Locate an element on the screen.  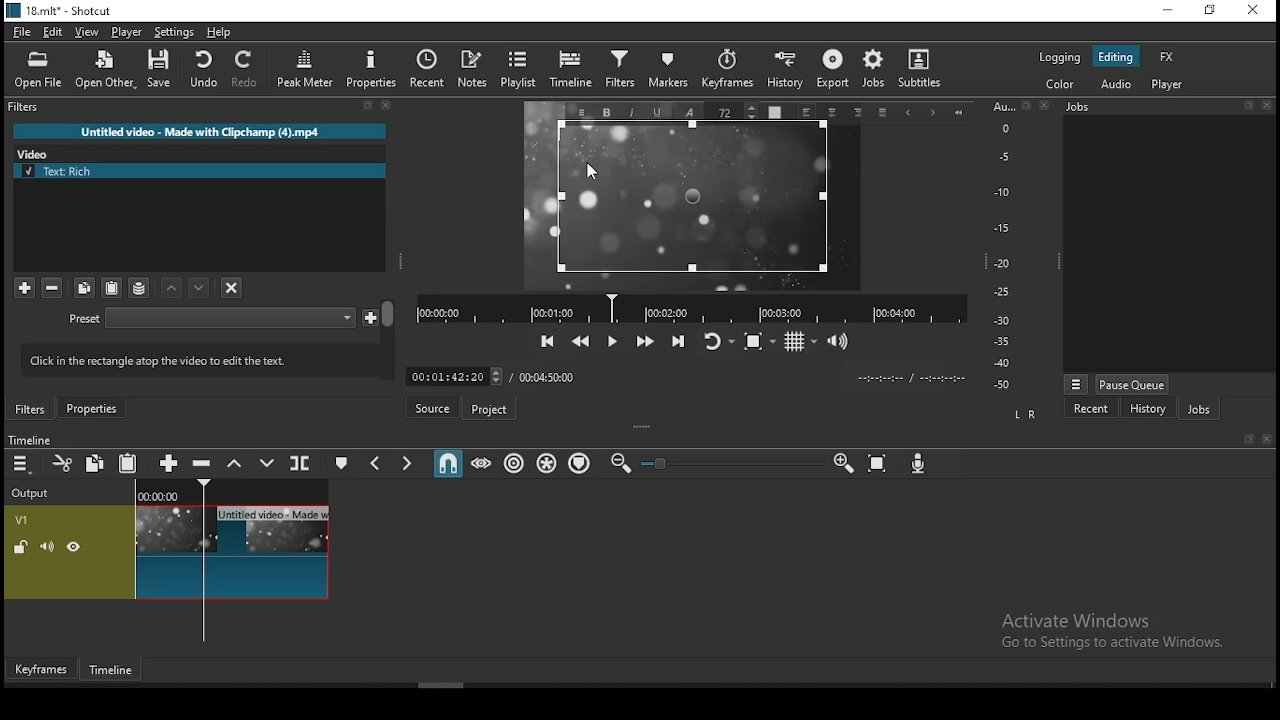
filters is located at coordinates (26, 107).